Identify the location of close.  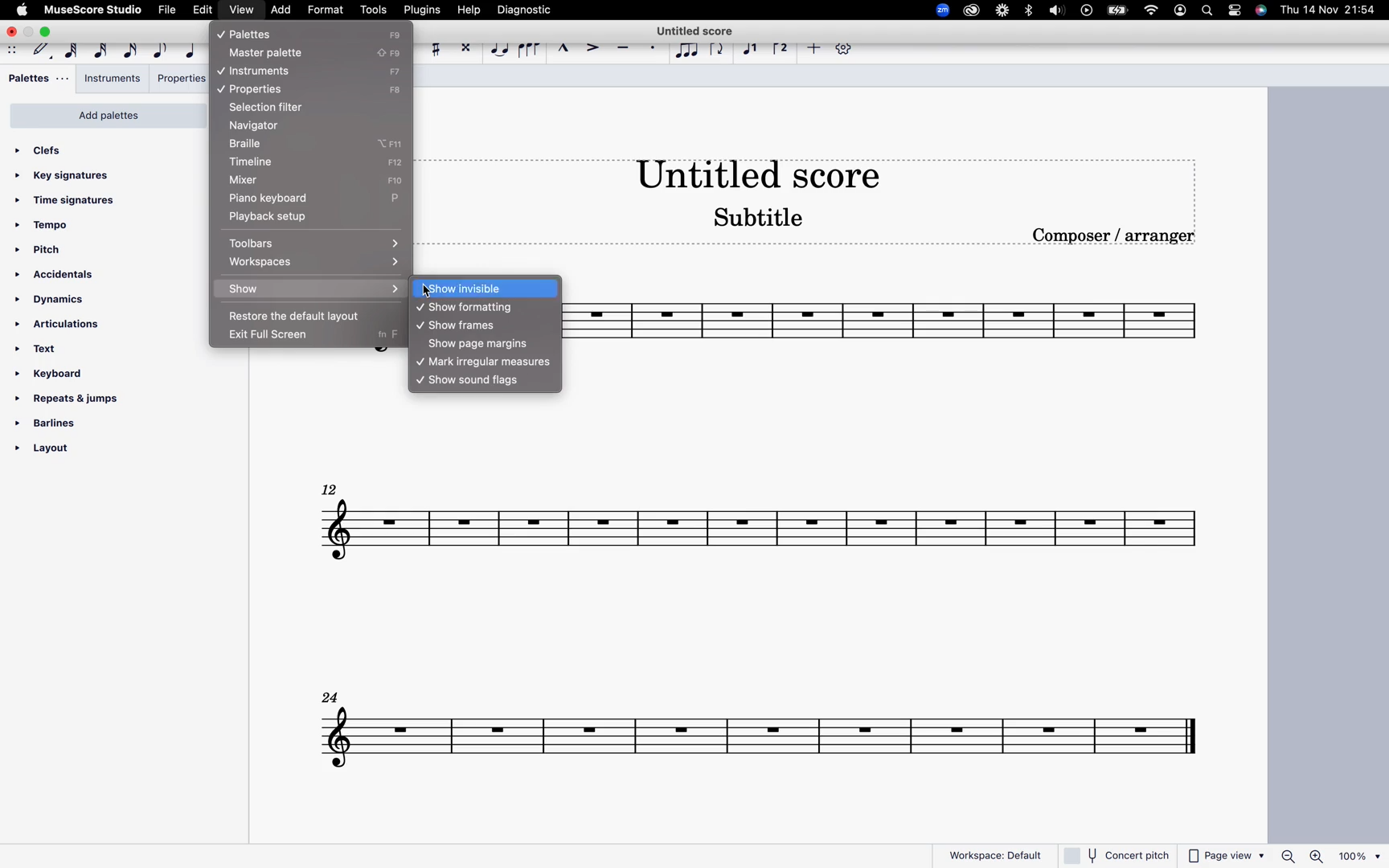
(10, 31).